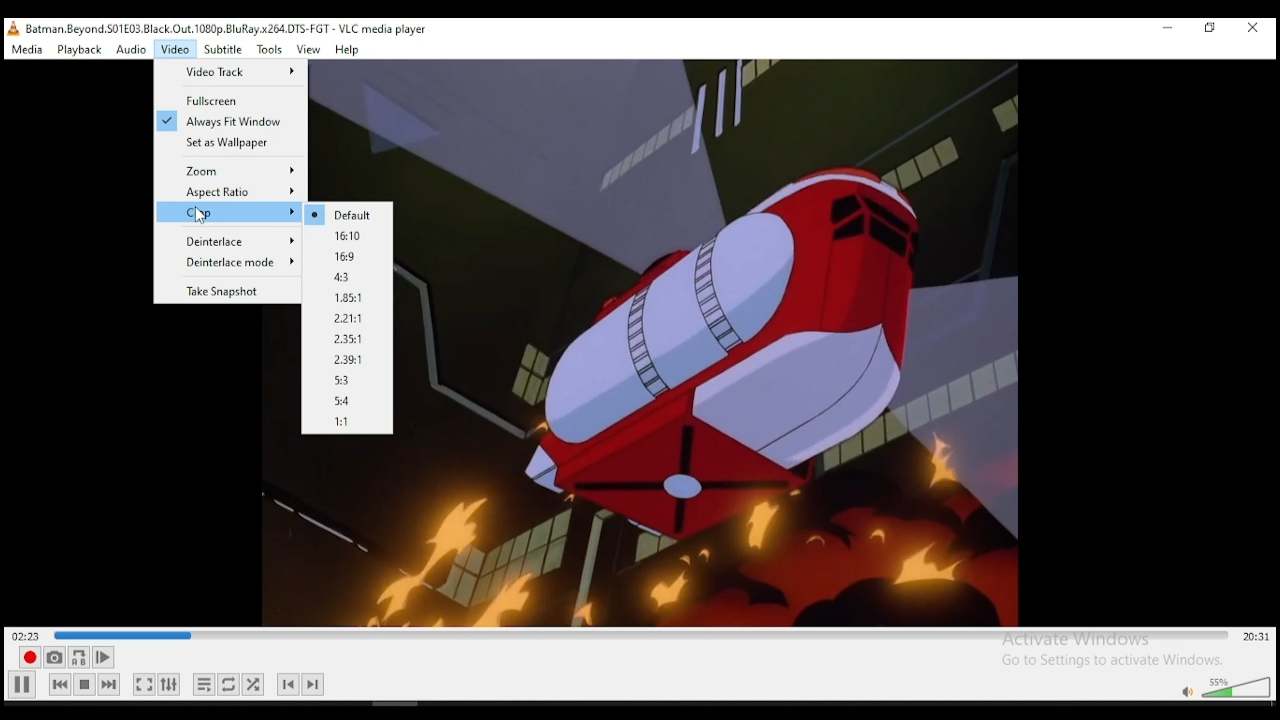 The image size is (1280, 720). Describe the element at coordinates (177, 49) in the screenshot. I see `video` at that location.